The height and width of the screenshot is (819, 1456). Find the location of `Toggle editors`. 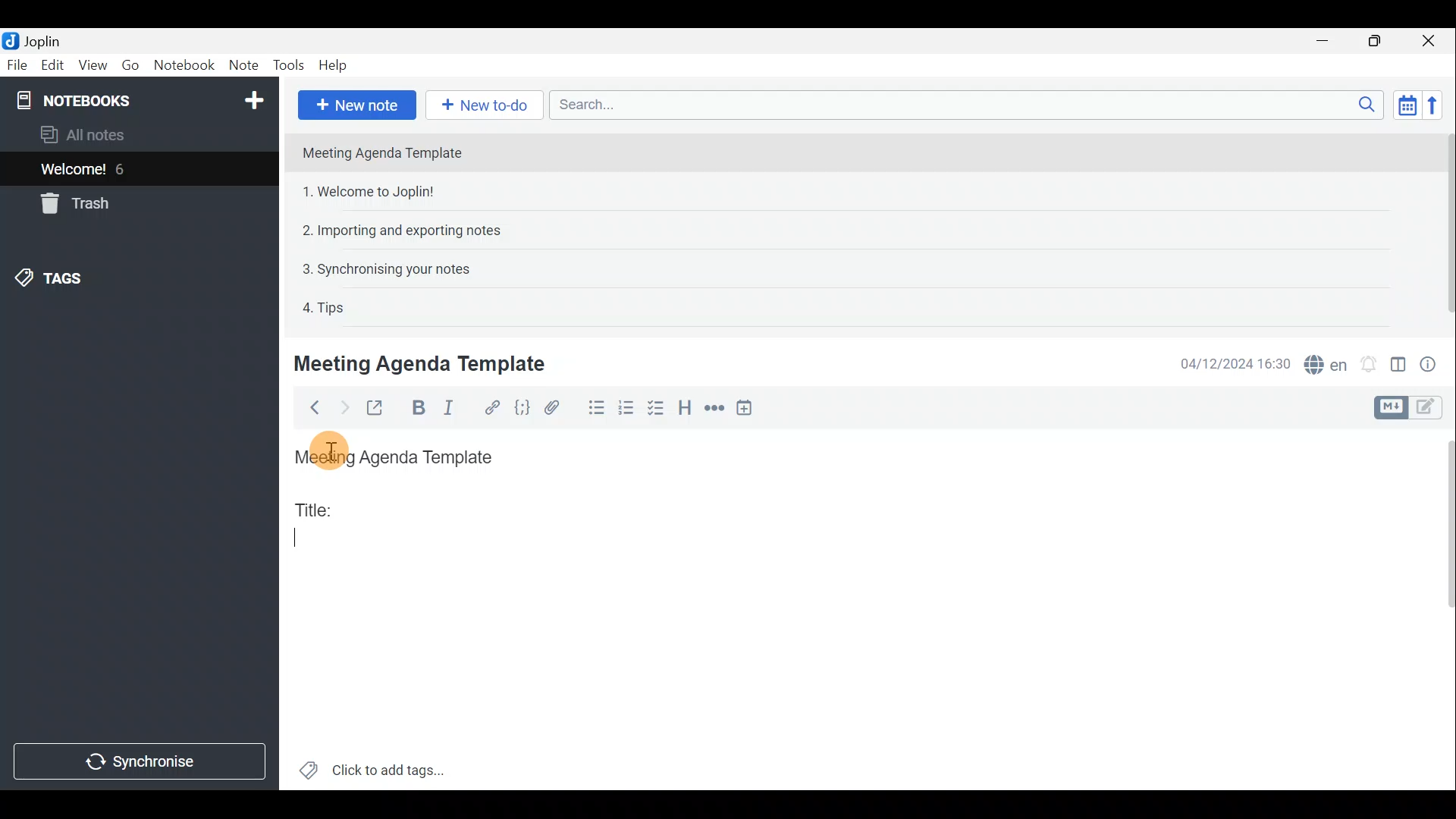

Toggle editors is located at coordinates (1389, 408).